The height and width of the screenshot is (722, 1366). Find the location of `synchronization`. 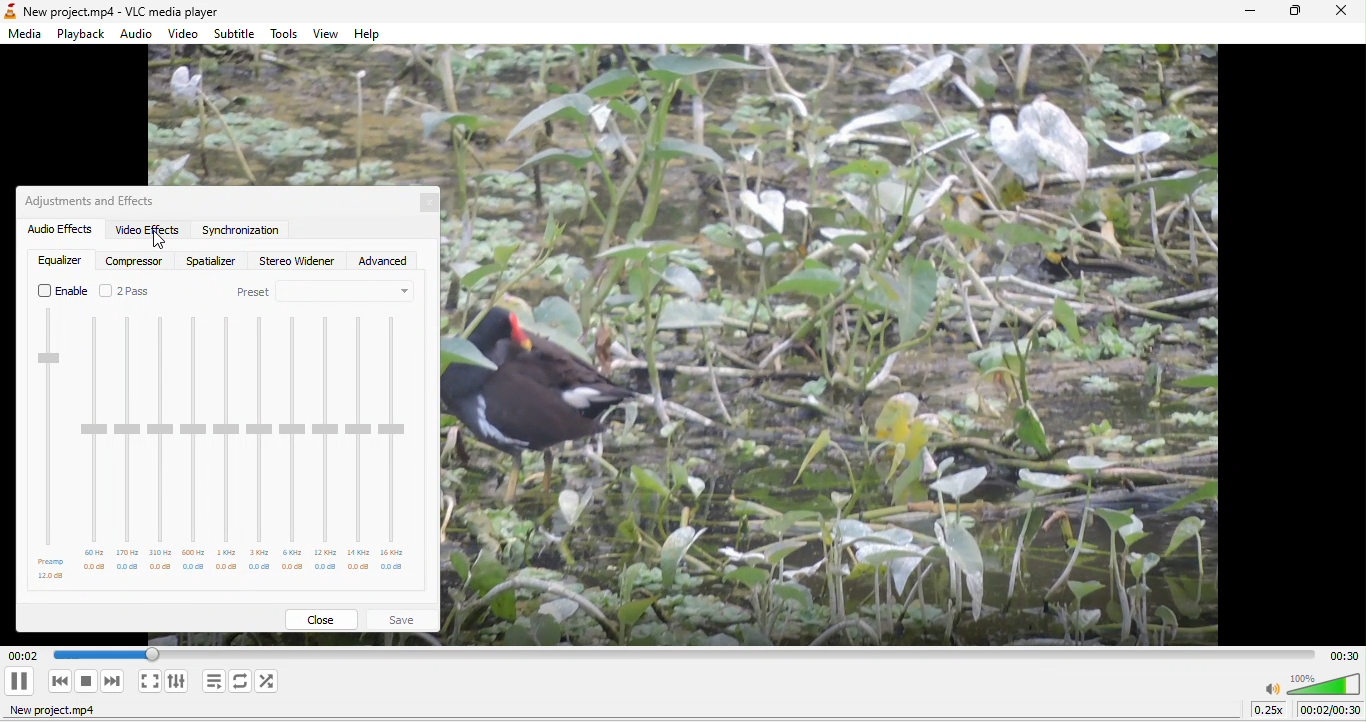

synchronization is located at coordinates (245, 233).